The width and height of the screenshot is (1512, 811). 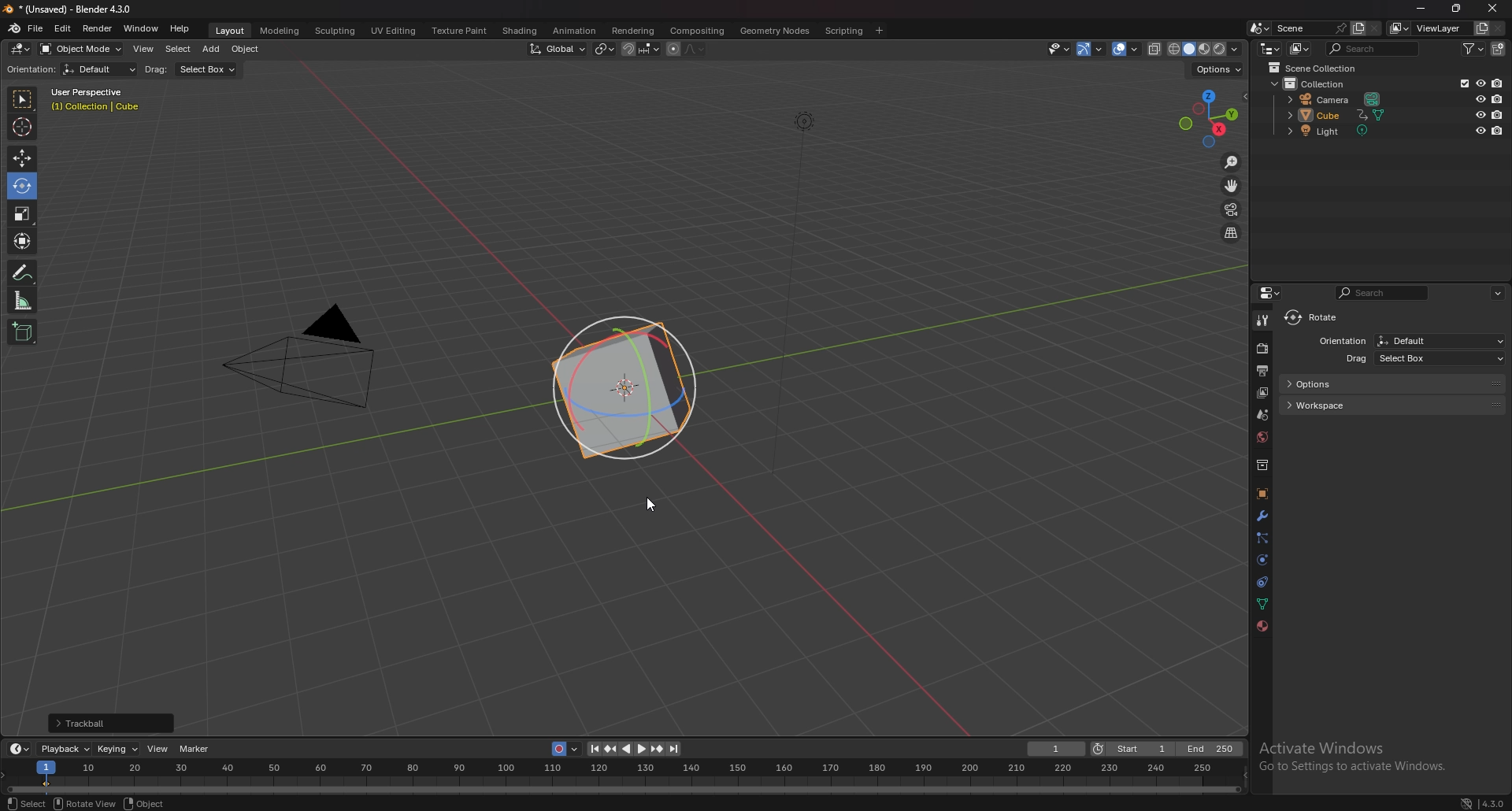 What do you see at coordinates (23, 332) in the screenshot?
I see `add cube` at bounding box center [23, 332].